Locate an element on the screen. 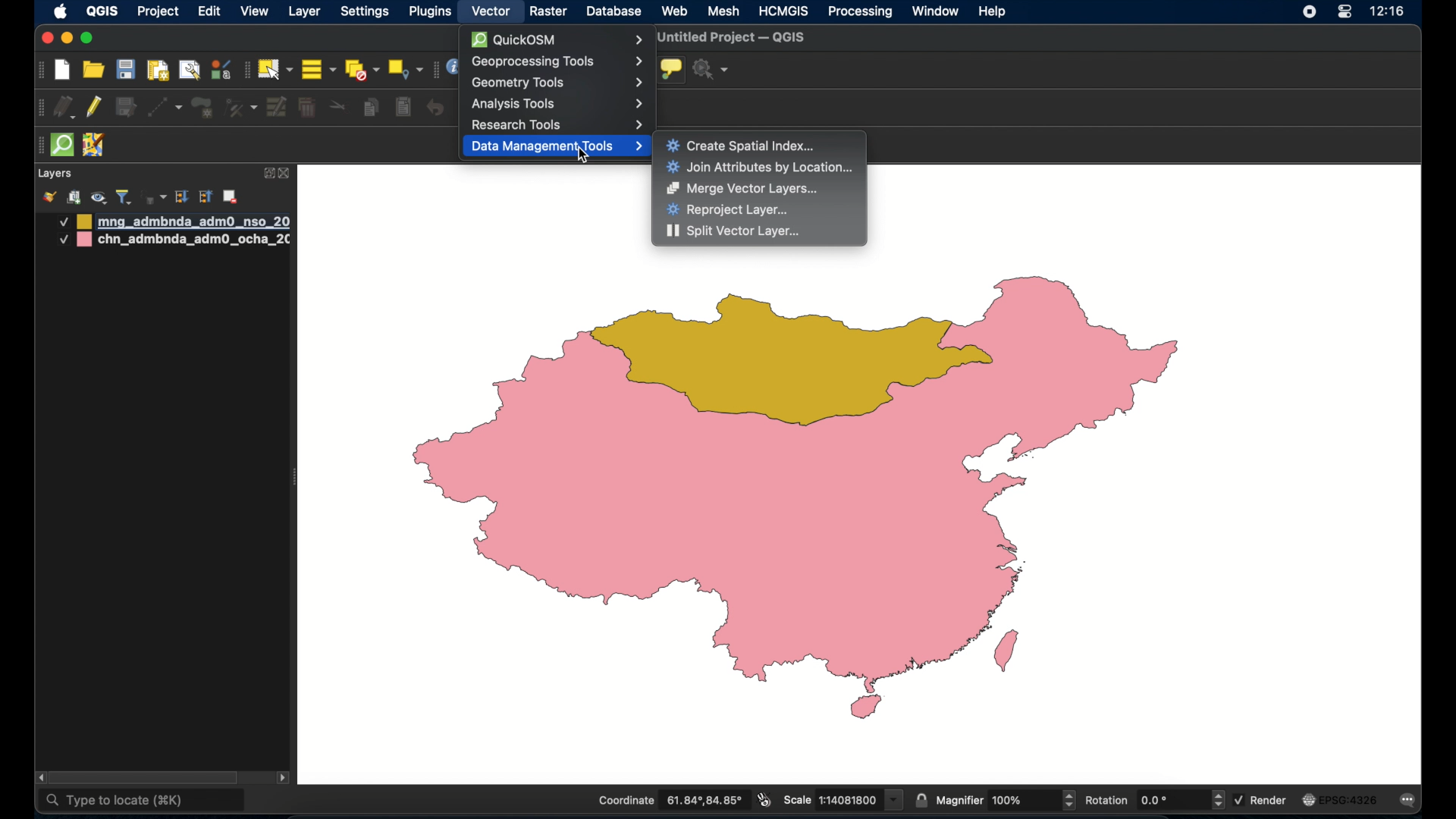 Image resolution: width=1456 pixels, height=819 pixels. show map tips is located at coordinates (670, 69).